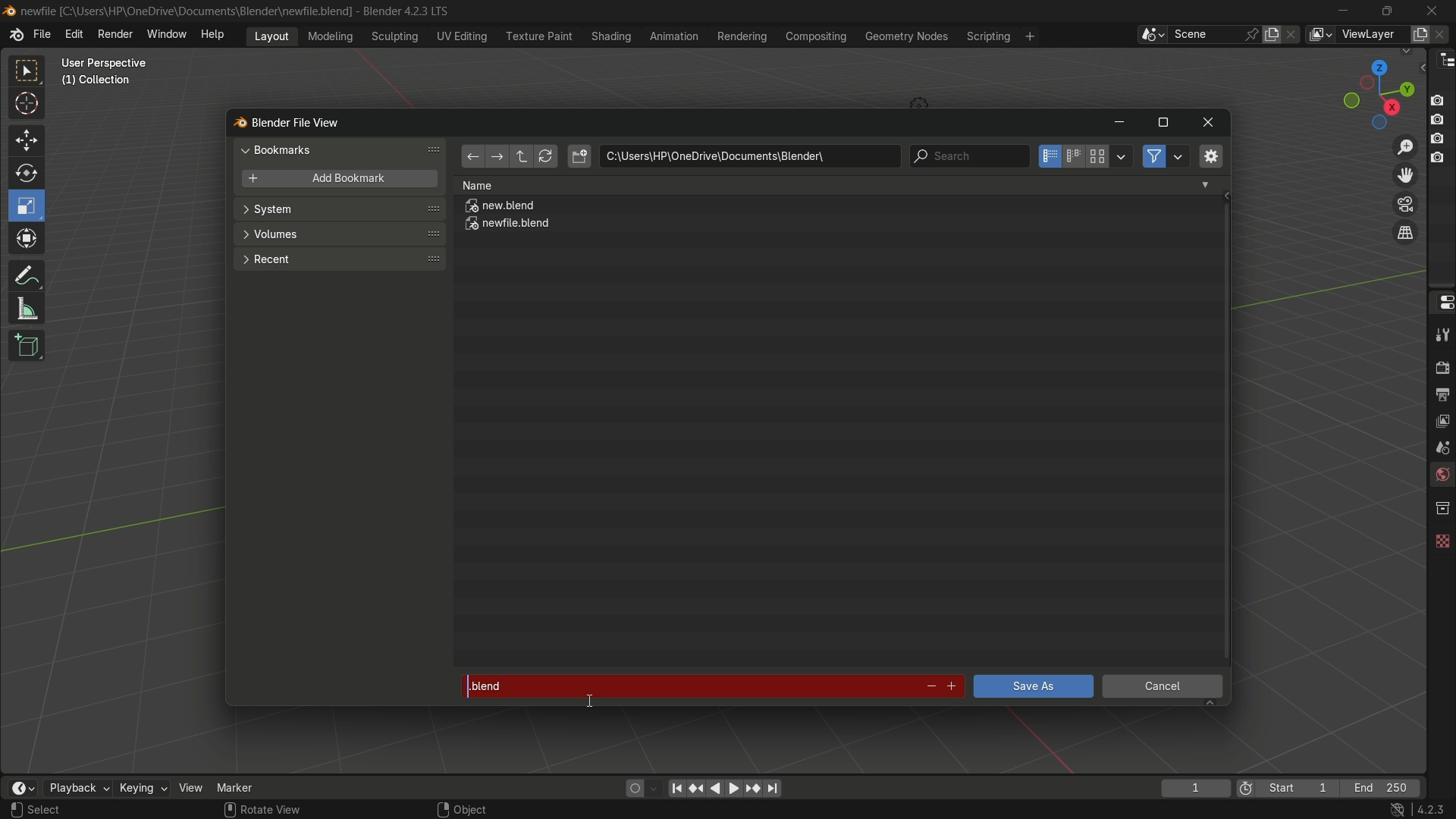 The image size is (1456, 819). What do you see at coordinates (1209, 123) in the screenshot?
I see `close window` at bounding box center [1209, 123].